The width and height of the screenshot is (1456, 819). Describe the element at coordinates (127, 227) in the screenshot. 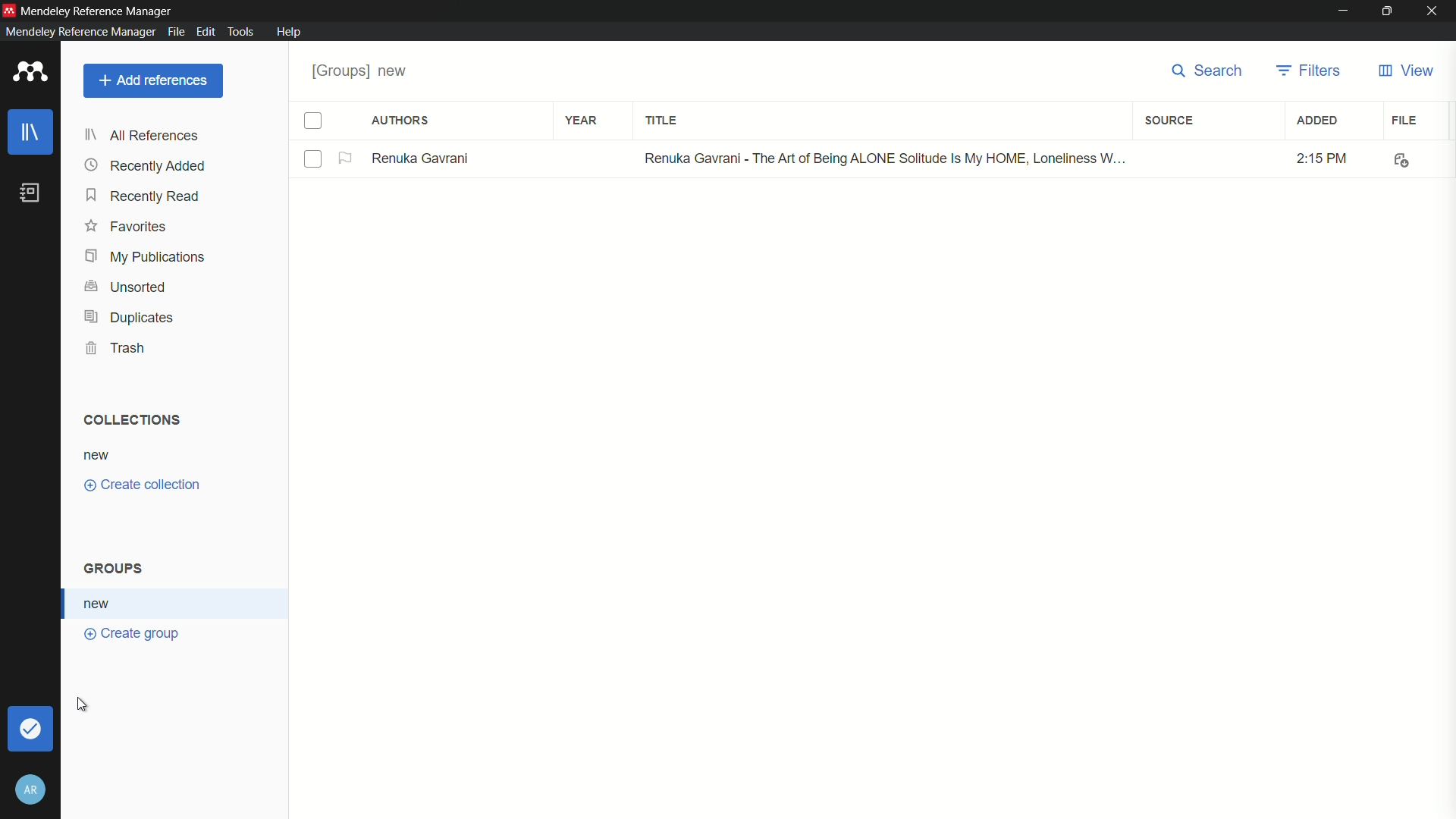

I see `favorites` at that location.